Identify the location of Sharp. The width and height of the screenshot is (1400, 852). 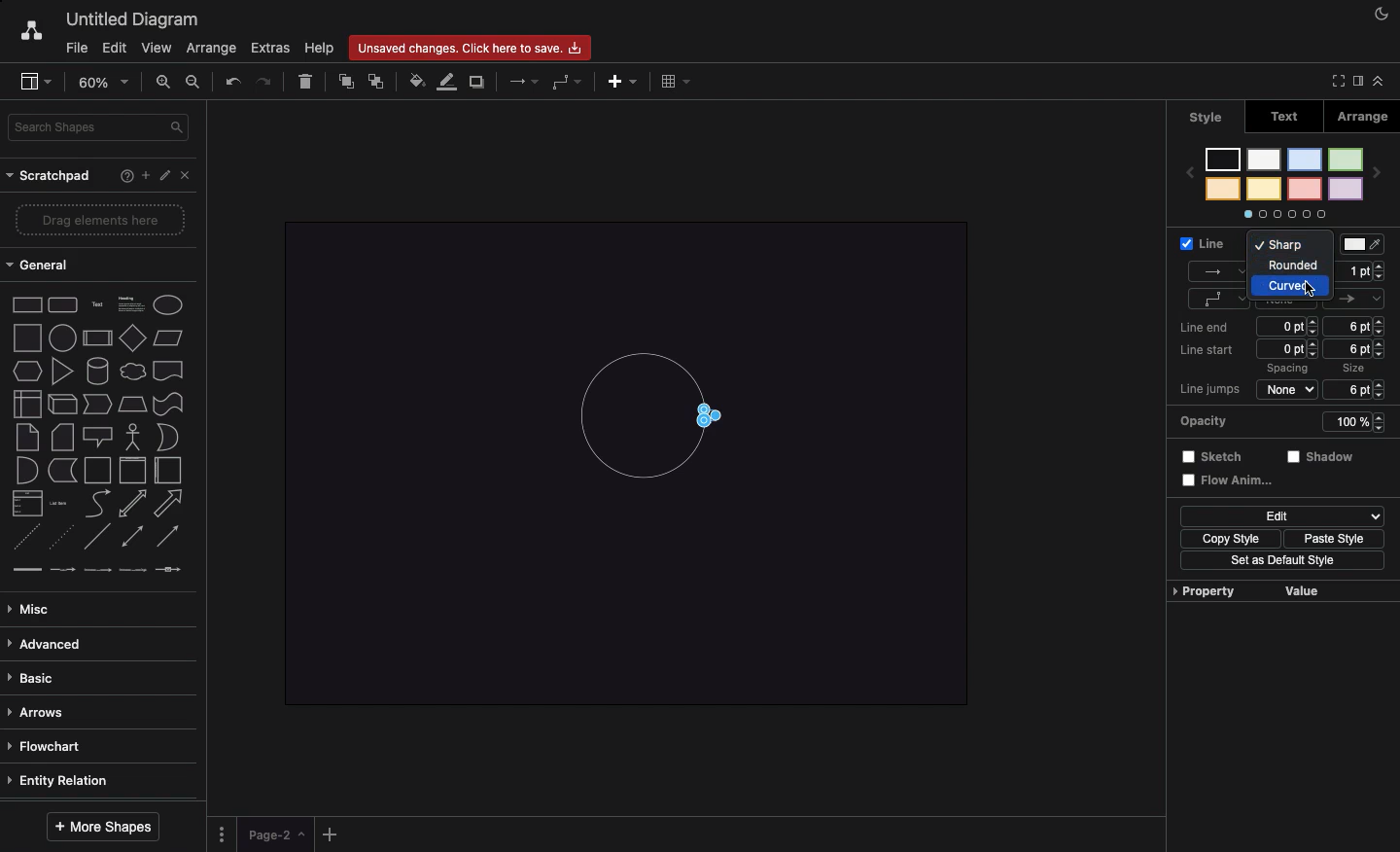
(1282, 245).